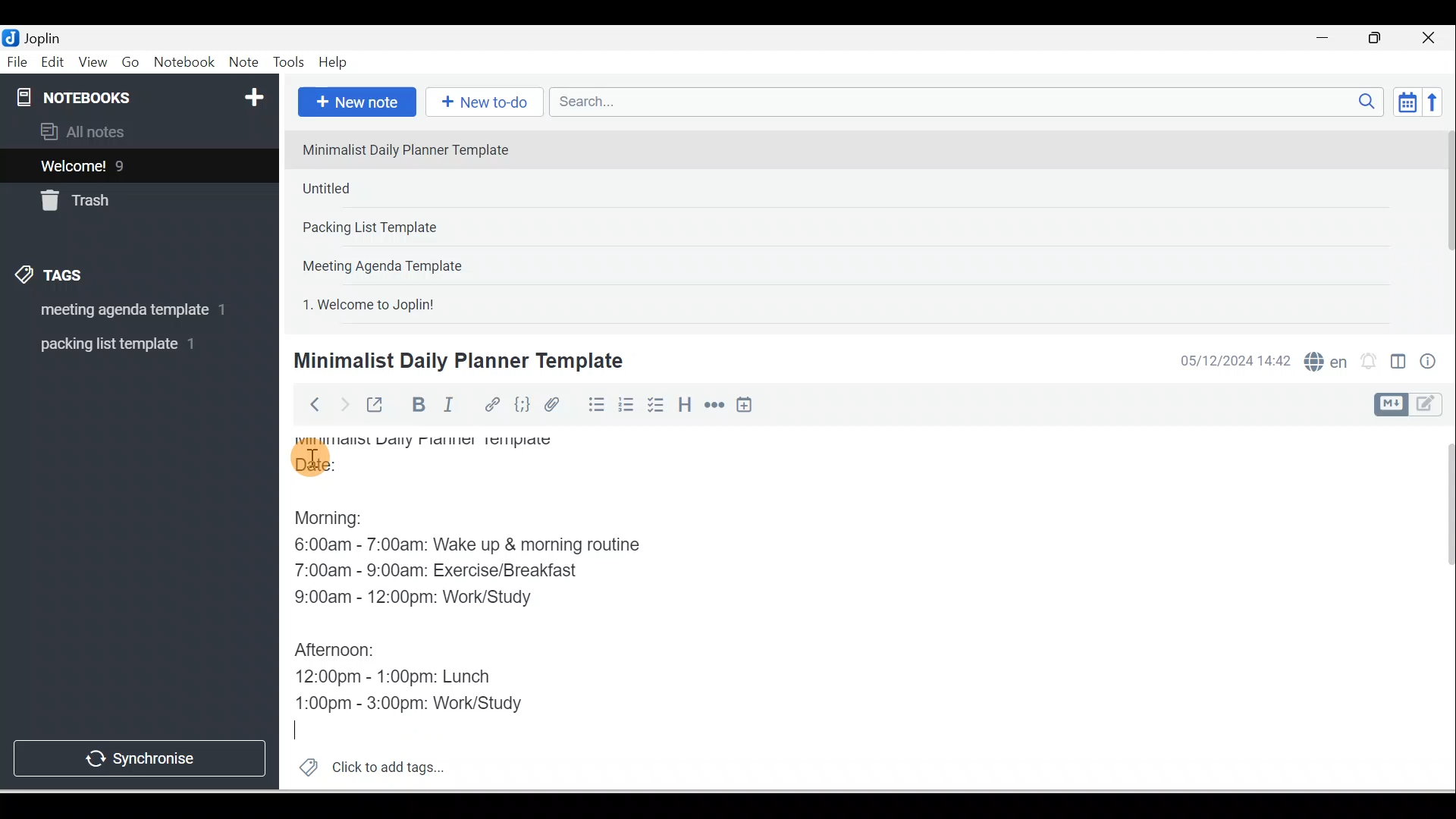  I want to click on Afternoon:, so click(340, 654).